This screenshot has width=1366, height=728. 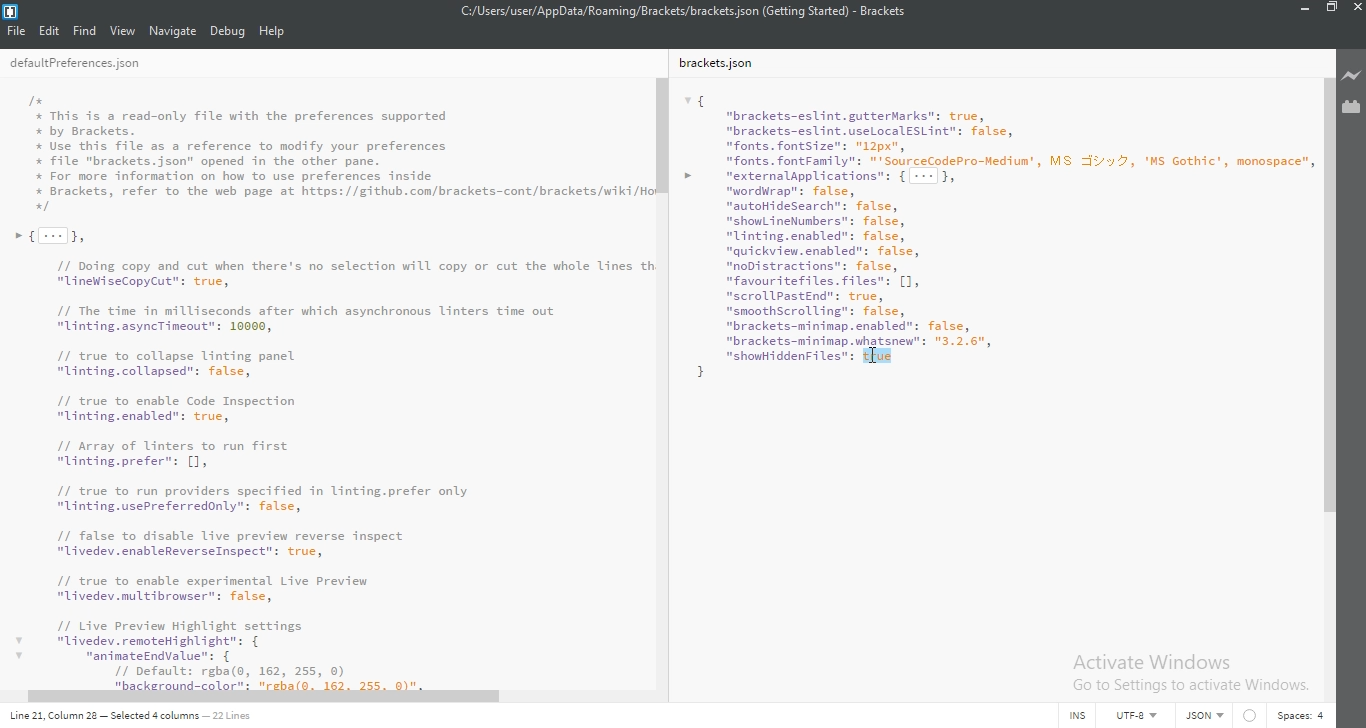 I want to click on view, so click(x=122, y=31).